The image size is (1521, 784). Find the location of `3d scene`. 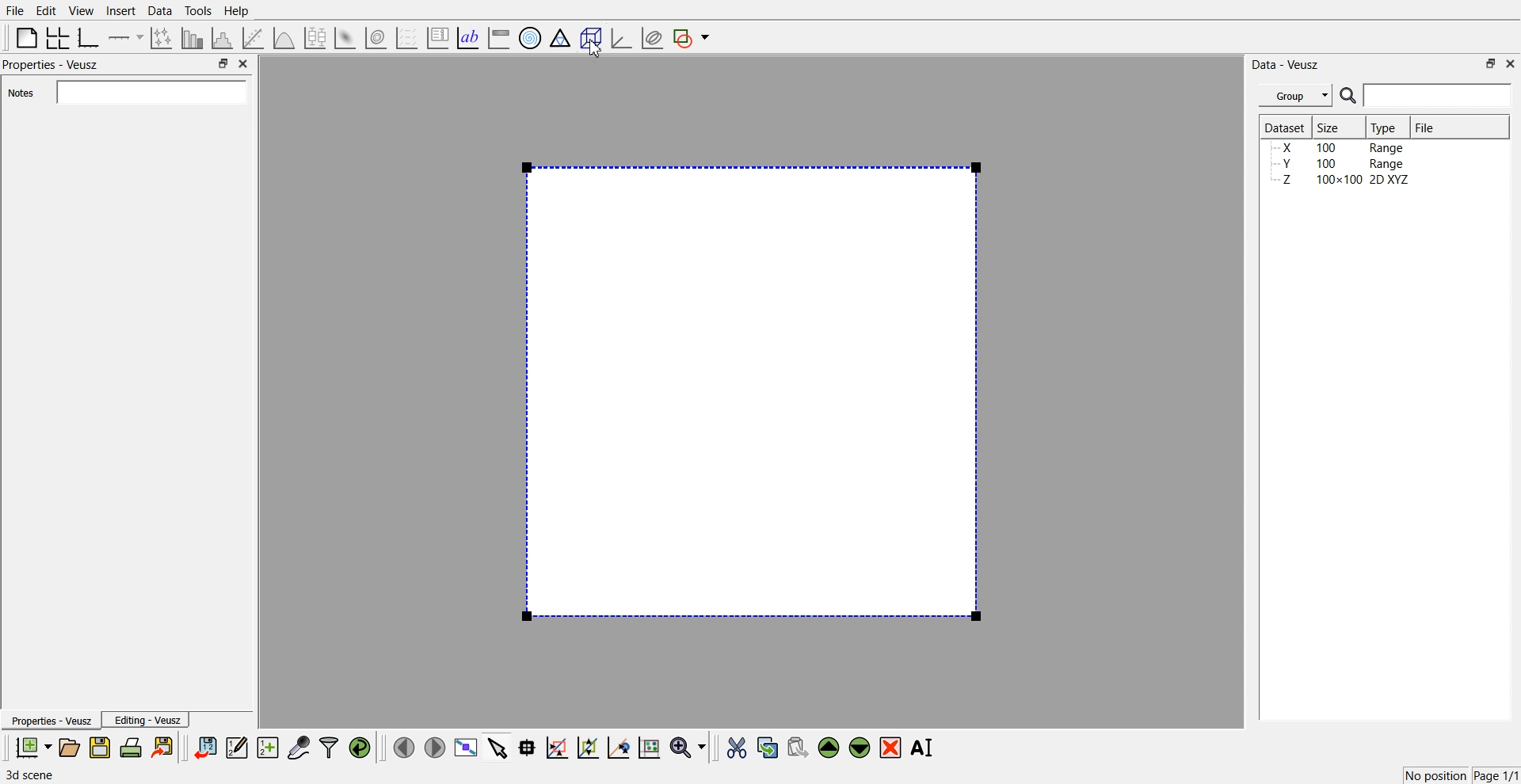

3d scene is located at coordinates (30, 775).